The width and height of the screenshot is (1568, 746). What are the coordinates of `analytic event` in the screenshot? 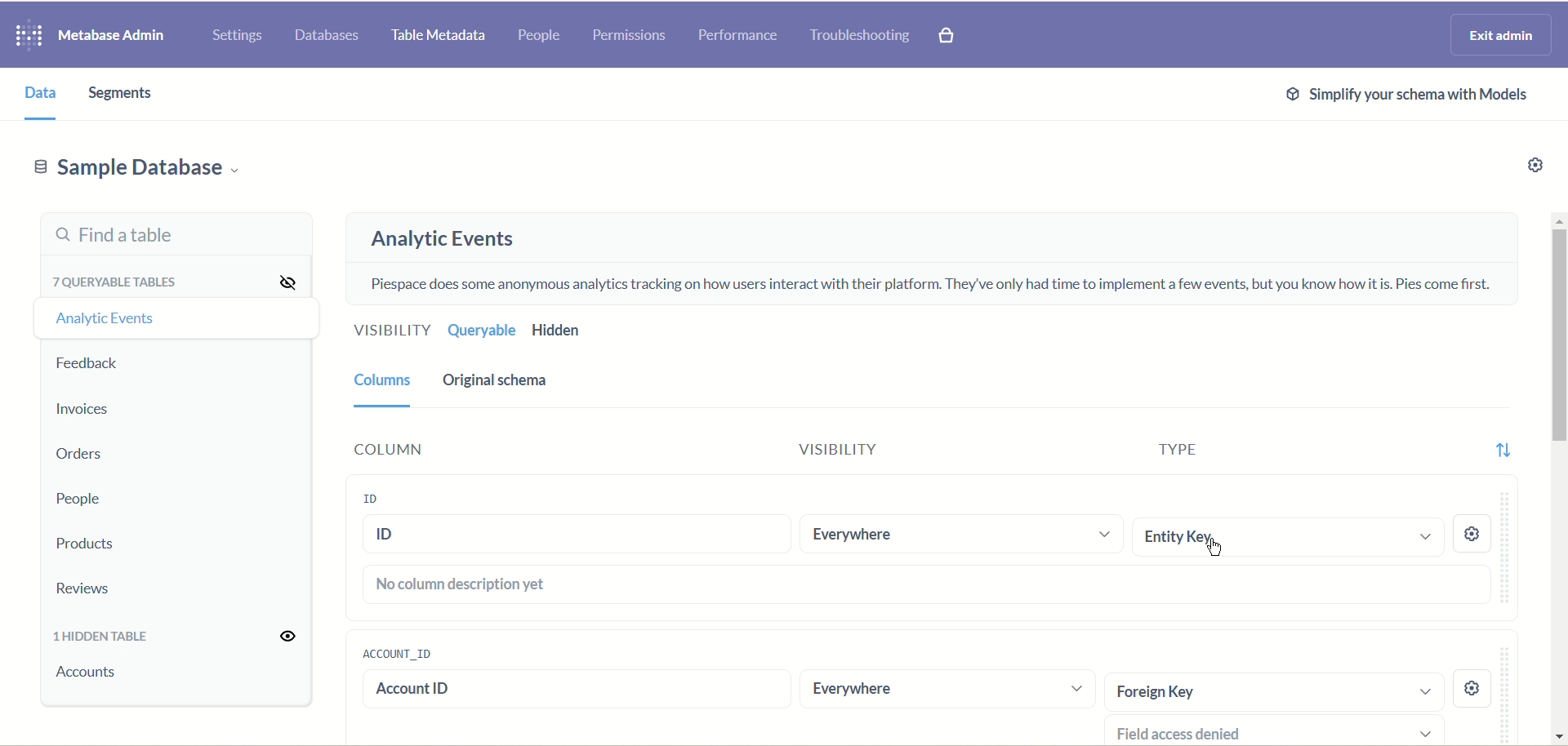 It's located at (102, 317).